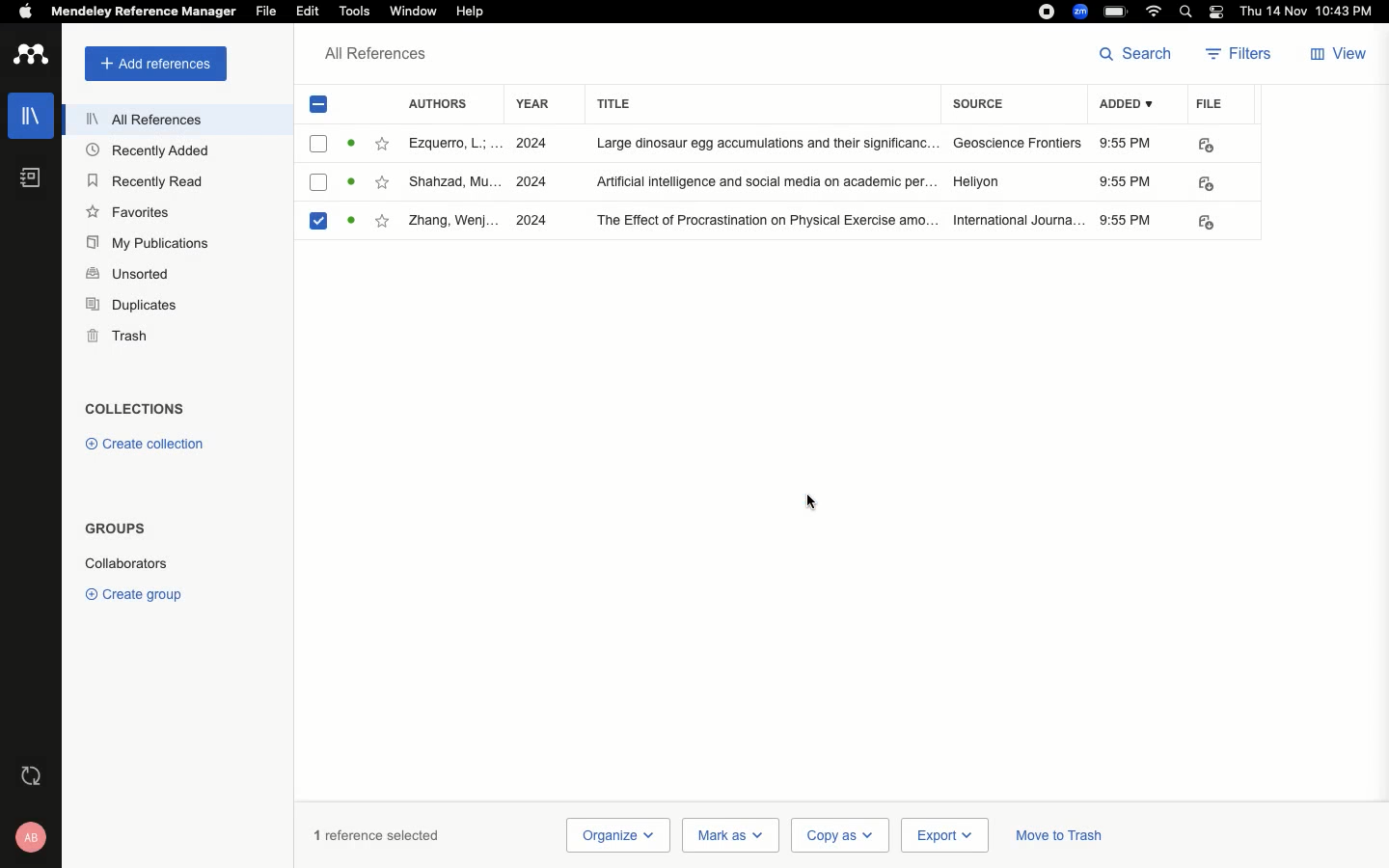 This screenshot has width=1389, height=868. Describe the element at coordinates (769, 143) in the screenshot. I see `large dinasour egg accumolatations and their significance` at that location.